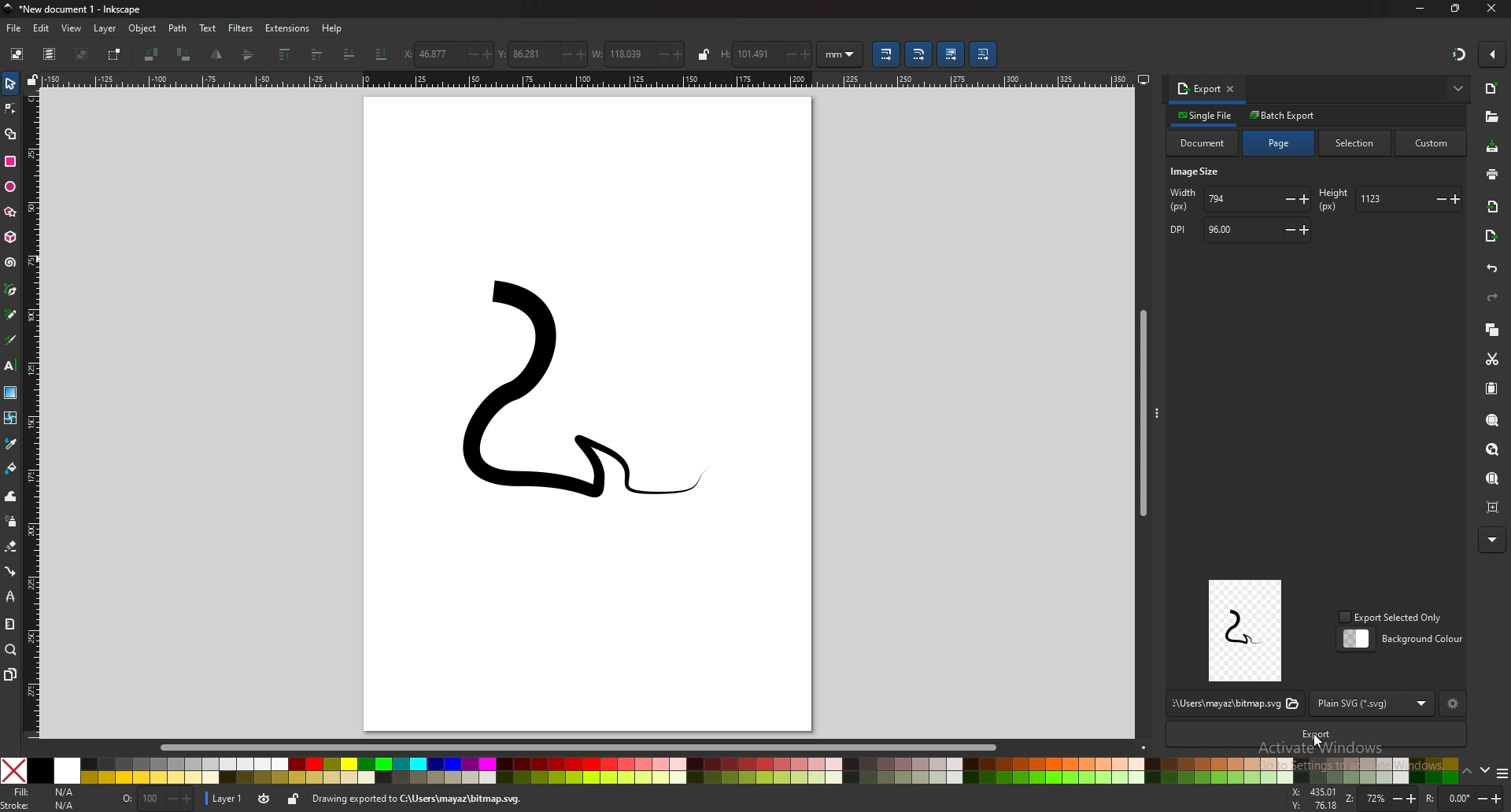 The width and height of the screenshot is (1511, 812). Describe the element at coordinates (185, 54) in the screenshot. I see `rotate 90 degree cw` at that location.